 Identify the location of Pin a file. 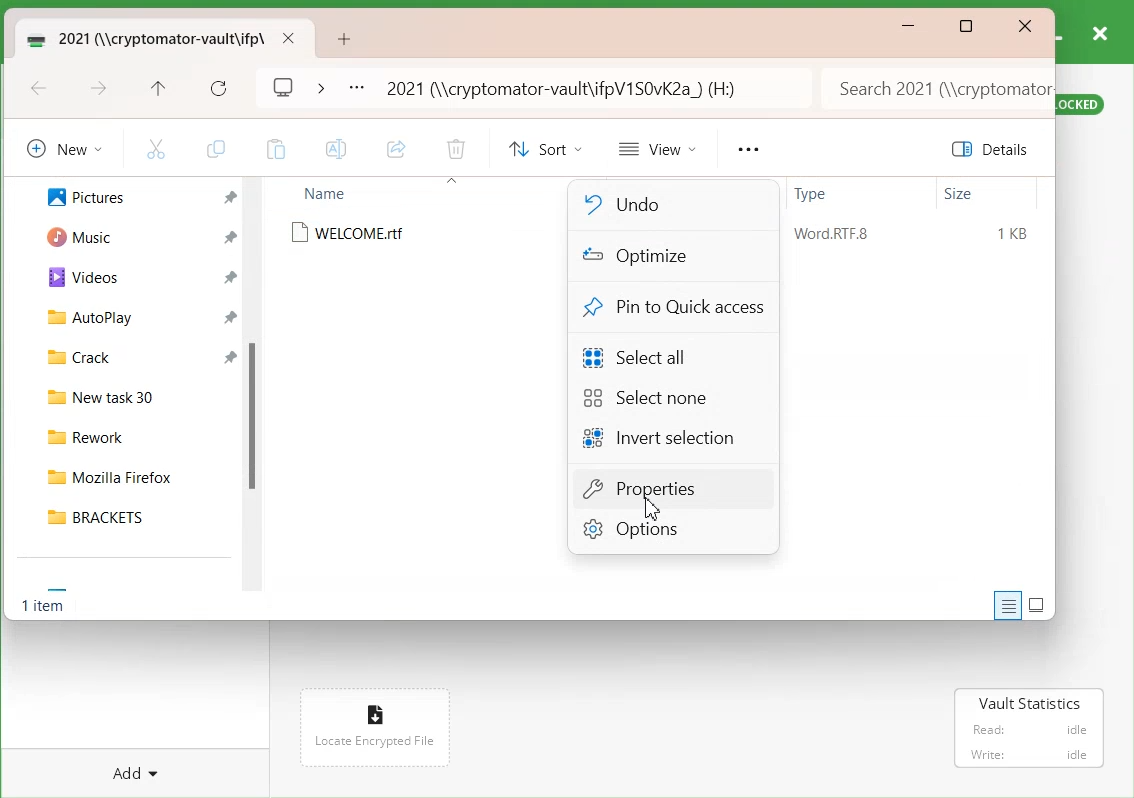
(231, 355).